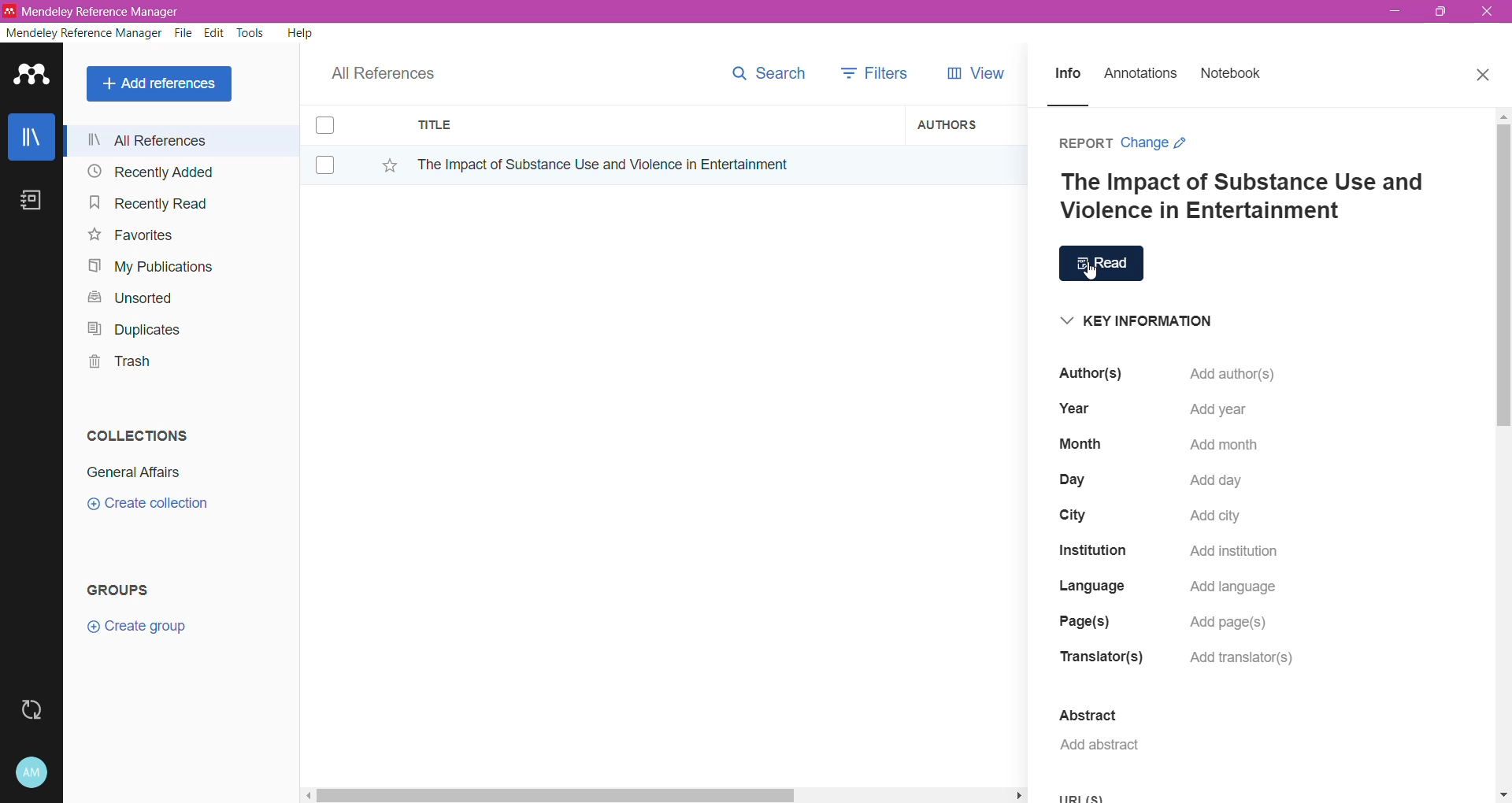 Image resolution: width=1512 pixels, height=803 pixels. Describe the element at coordinates (186, 33) in the screenshot. I see `File` at that location.